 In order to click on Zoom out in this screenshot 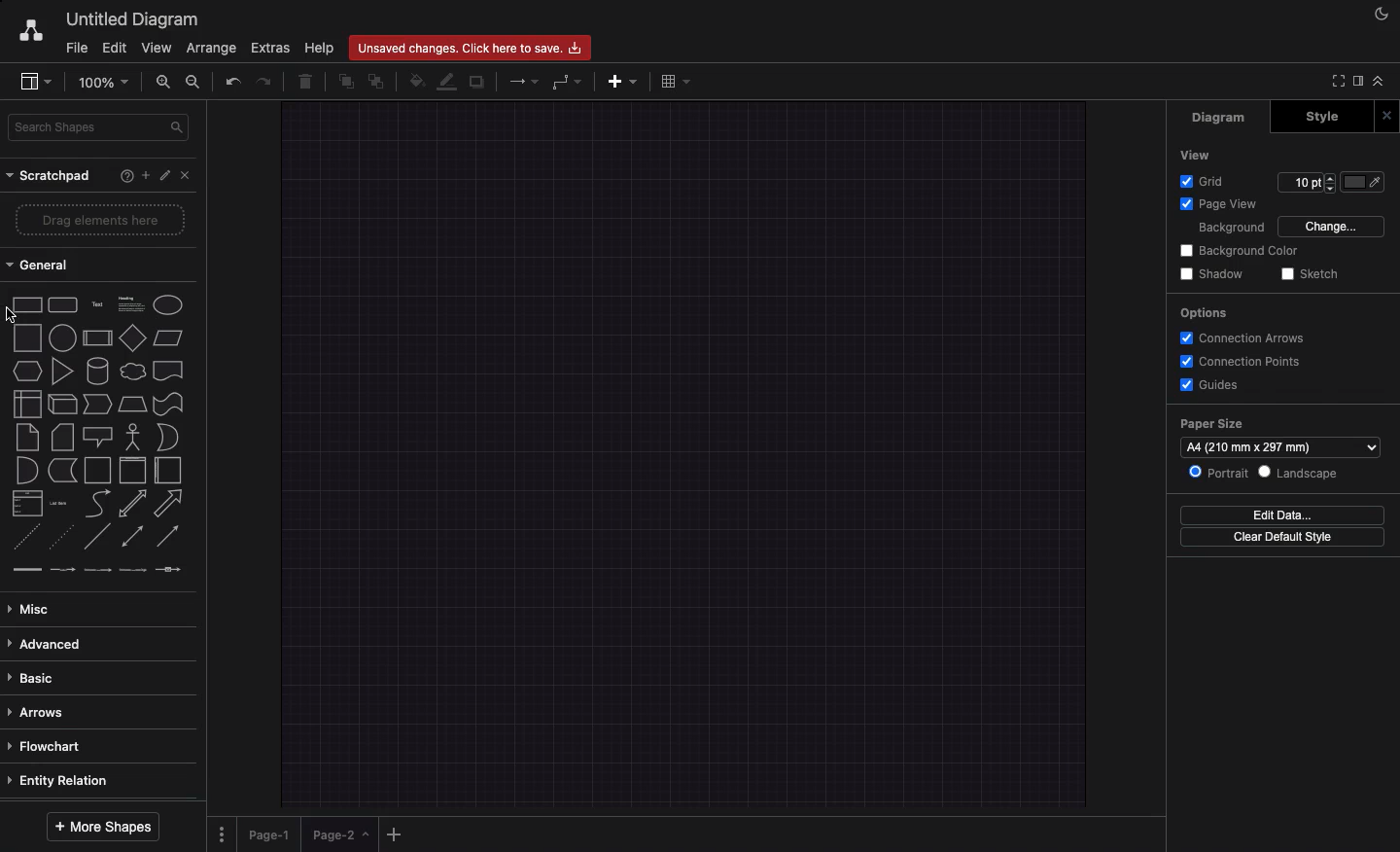, I will do `click(194, 83)`.